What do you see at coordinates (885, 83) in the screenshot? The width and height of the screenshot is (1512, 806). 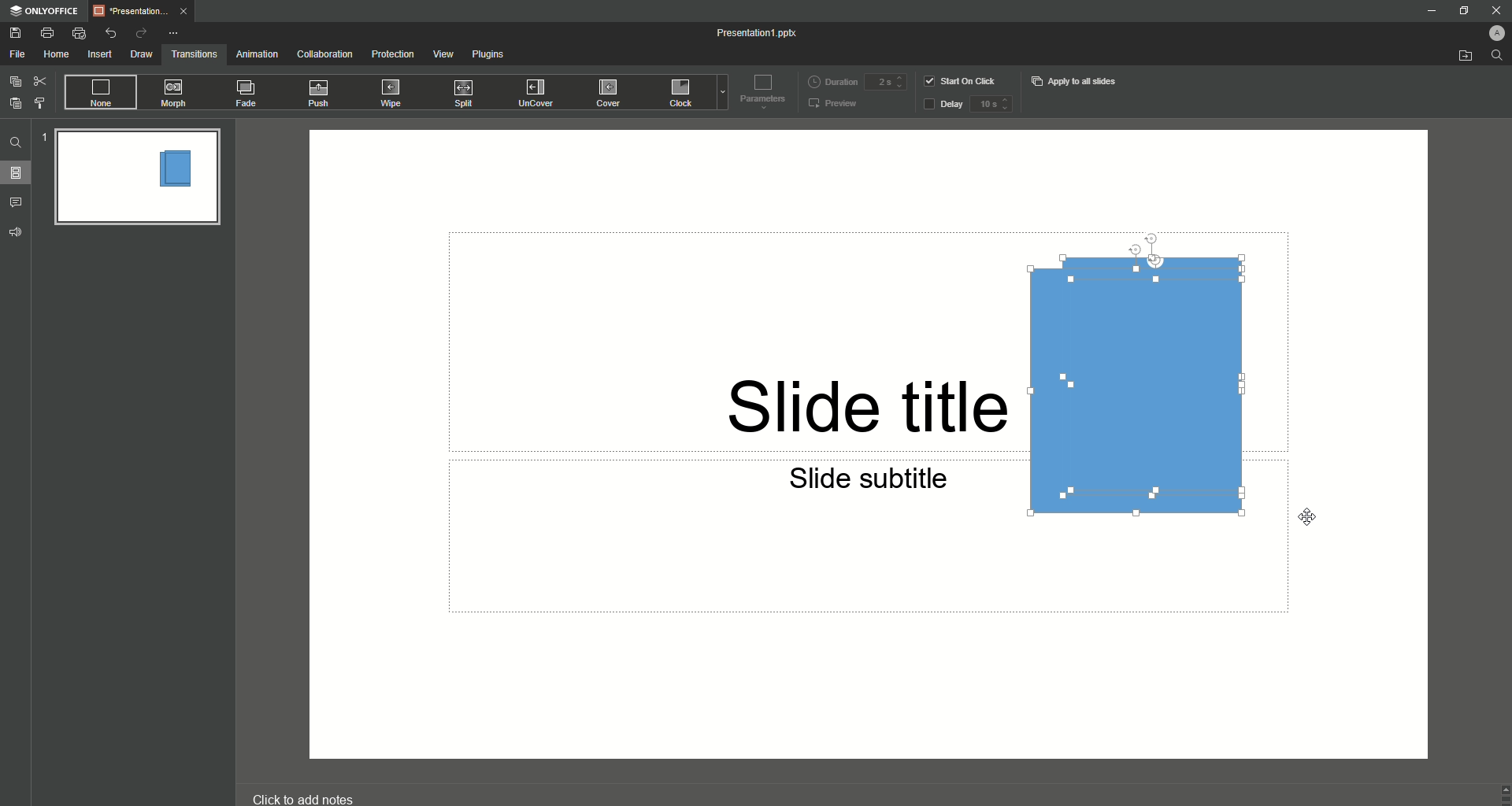 I see `duration input` at bounding box center [885, 83].